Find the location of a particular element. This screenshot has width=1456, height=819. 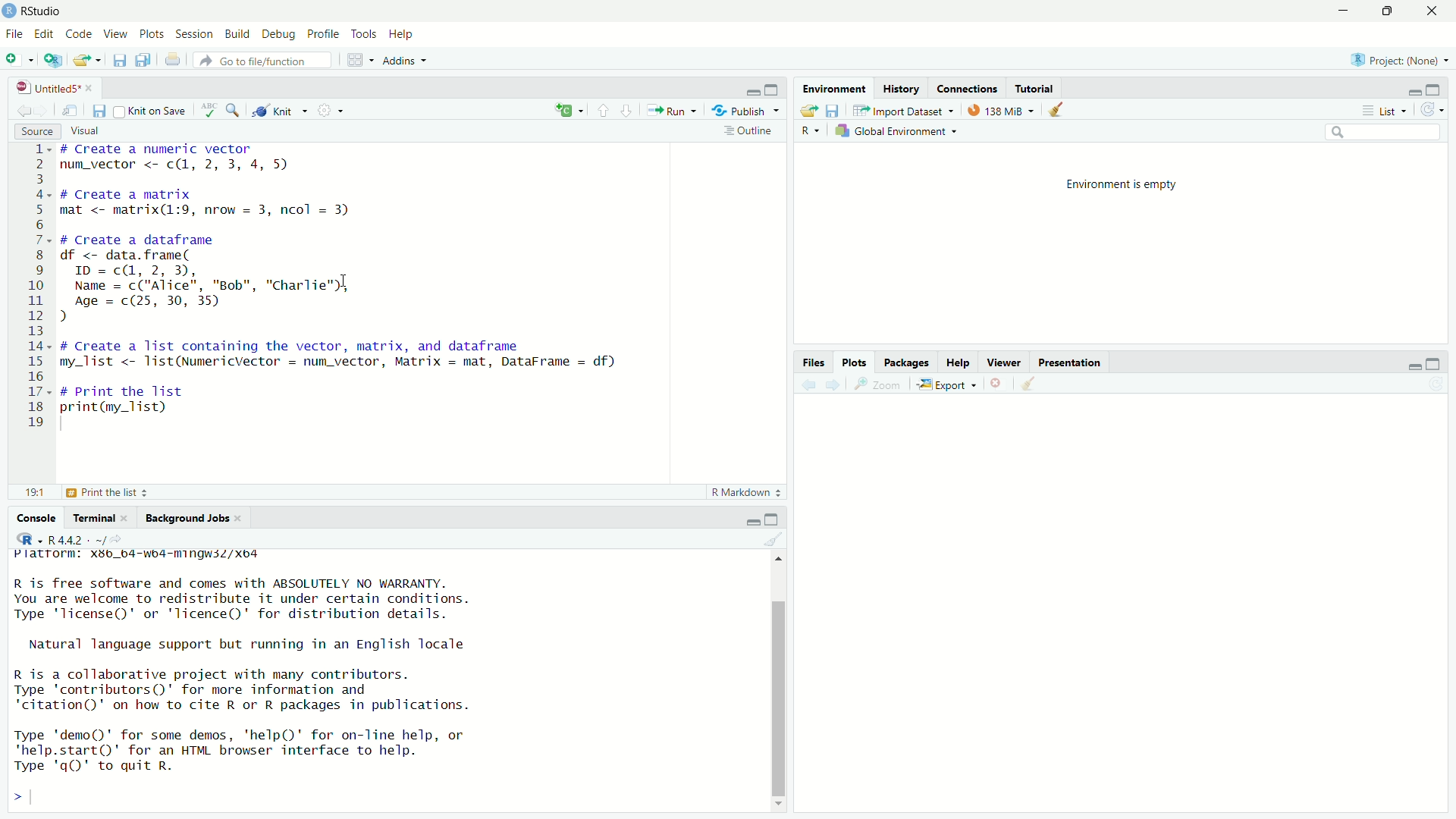

back is located at coordinates (26, 110).